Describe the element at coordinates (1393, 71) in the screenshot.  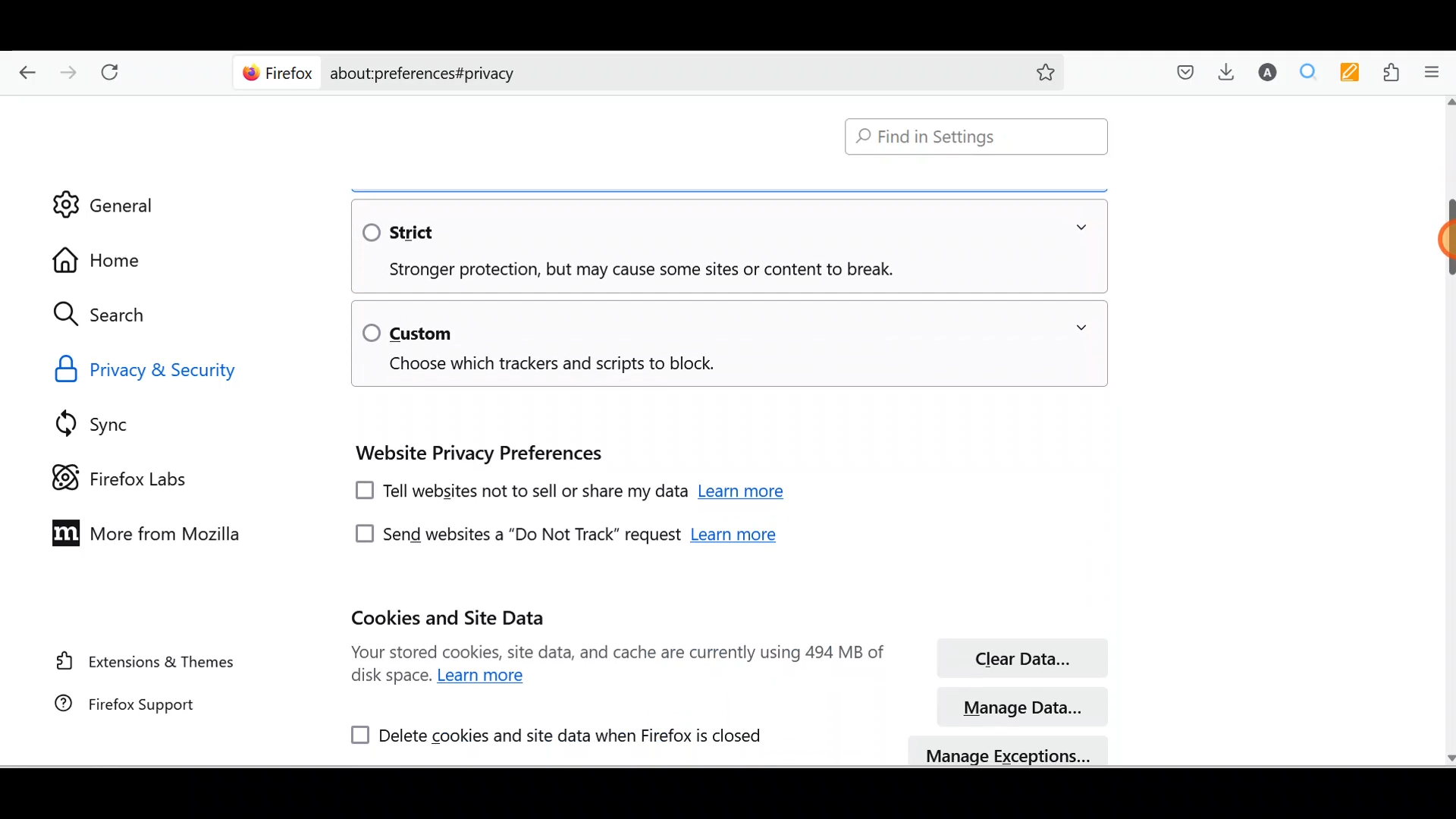
I see `Extensions` at that location.